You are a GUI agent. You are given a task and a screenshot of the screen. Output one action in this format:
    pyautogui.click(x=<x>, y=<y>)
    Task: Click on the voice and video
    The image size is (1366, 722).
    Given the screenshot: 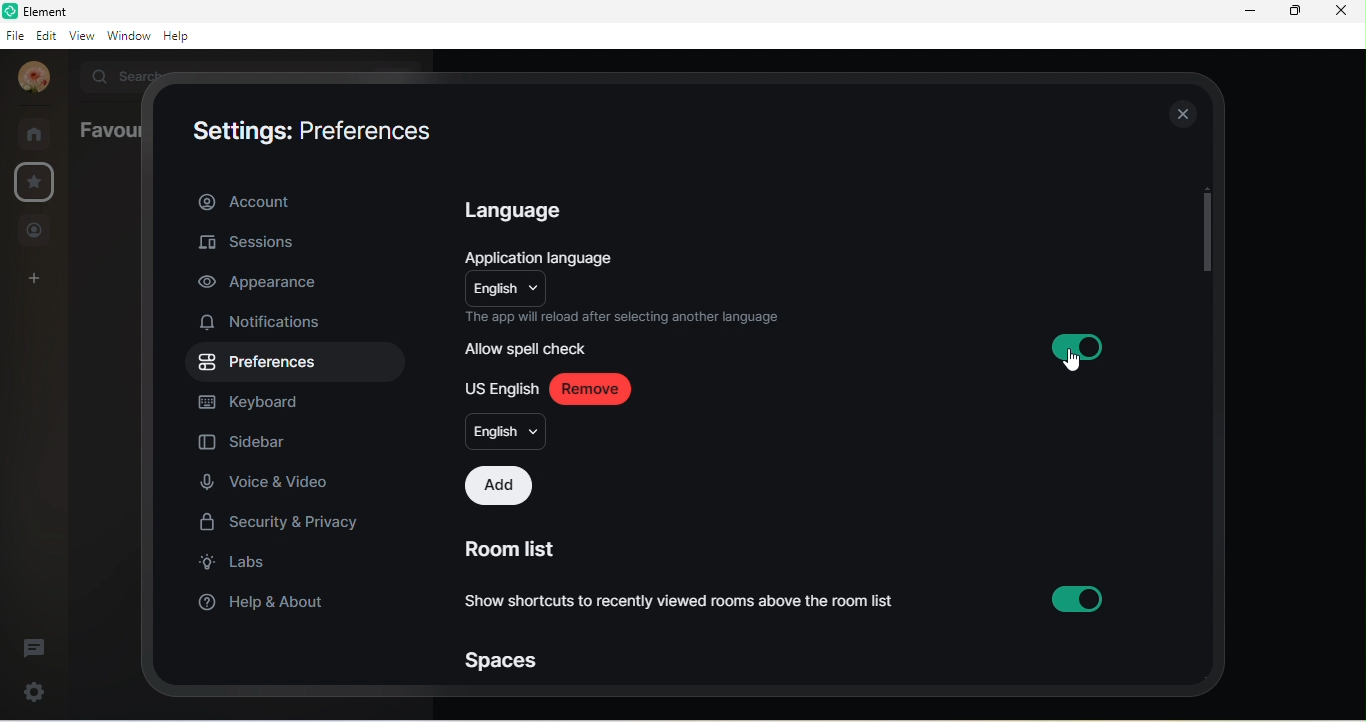 What is the action you would take?
    pyautogui.click(x=274, y=481)
    